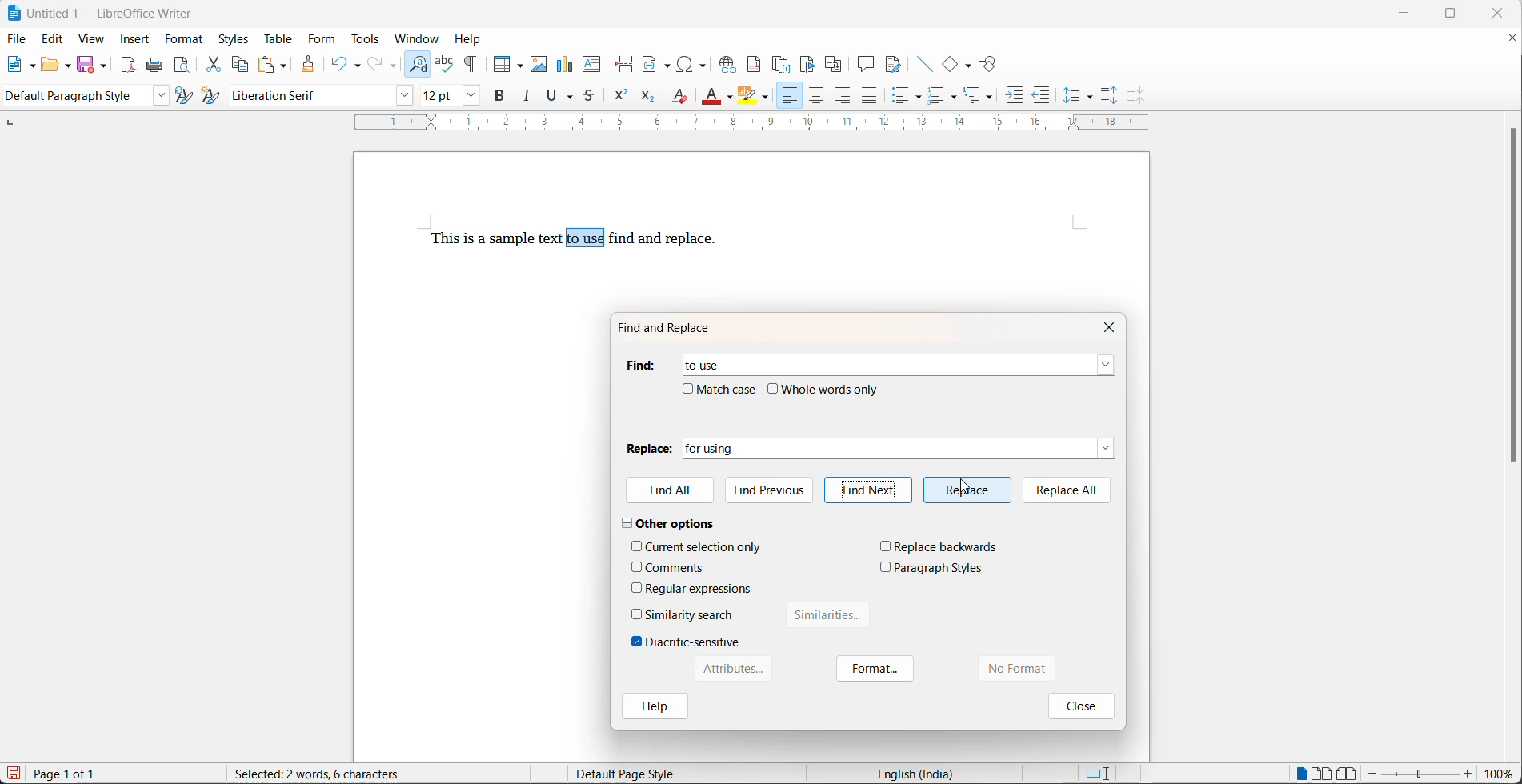 The height and width of the screenshot is (784, 1522). I want to click on insert cross-reference, so click(834, 64).